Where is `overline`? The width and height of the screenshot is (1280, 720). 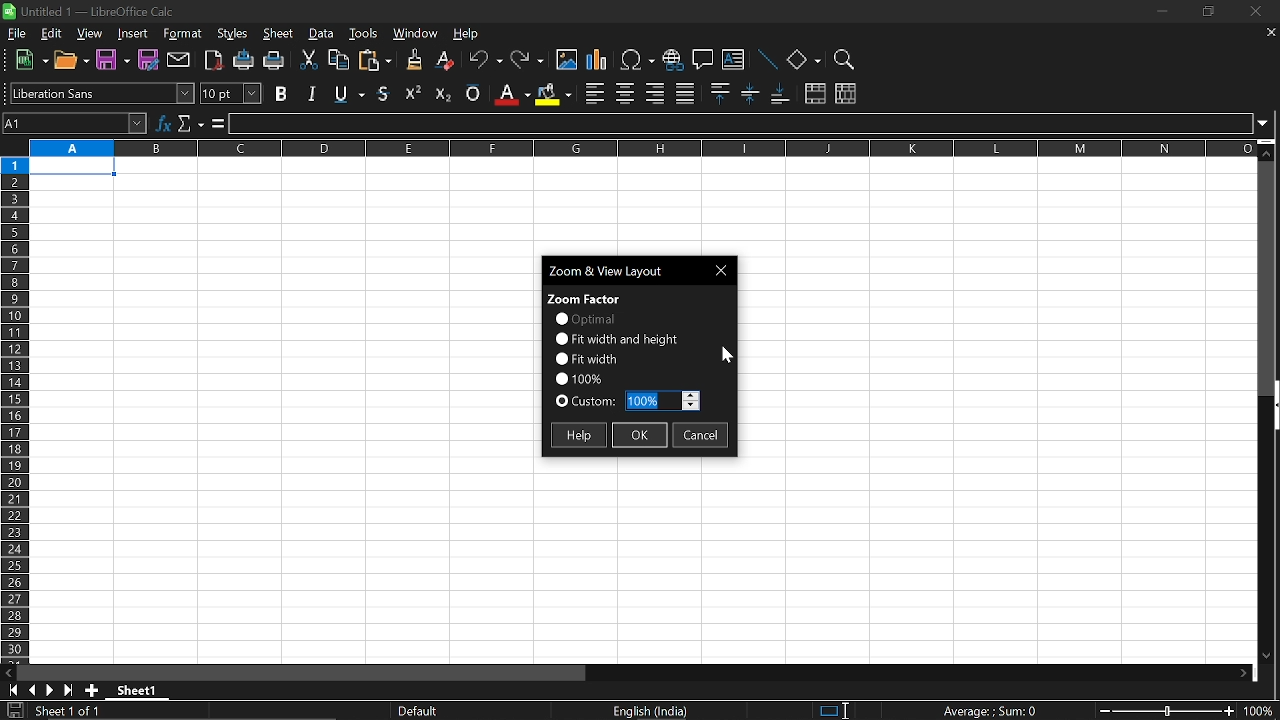
overline is located at coordinates (473, 91).